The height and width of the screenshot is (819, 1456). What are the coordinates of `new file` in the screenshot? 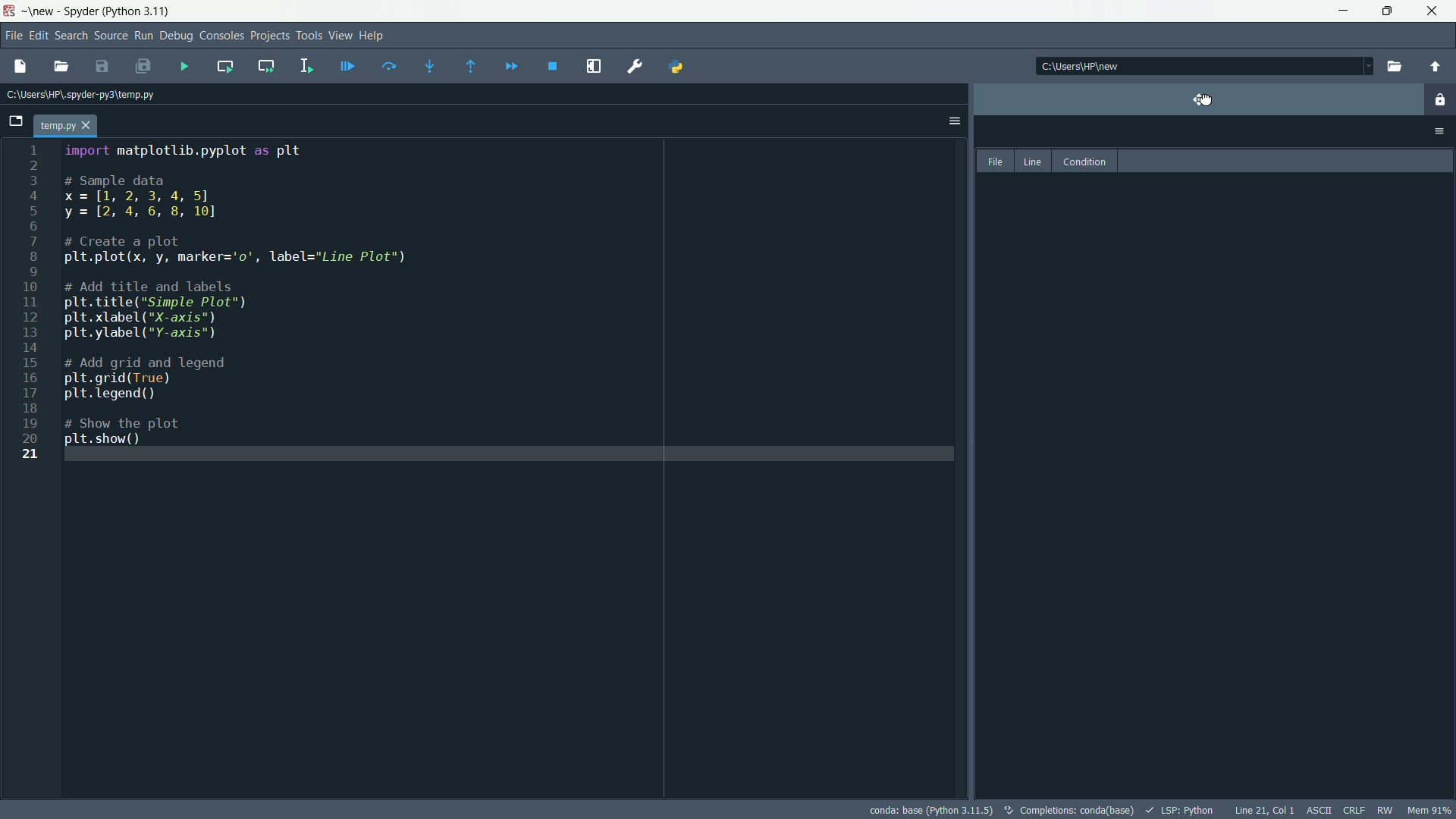 It's located at (17, 62).